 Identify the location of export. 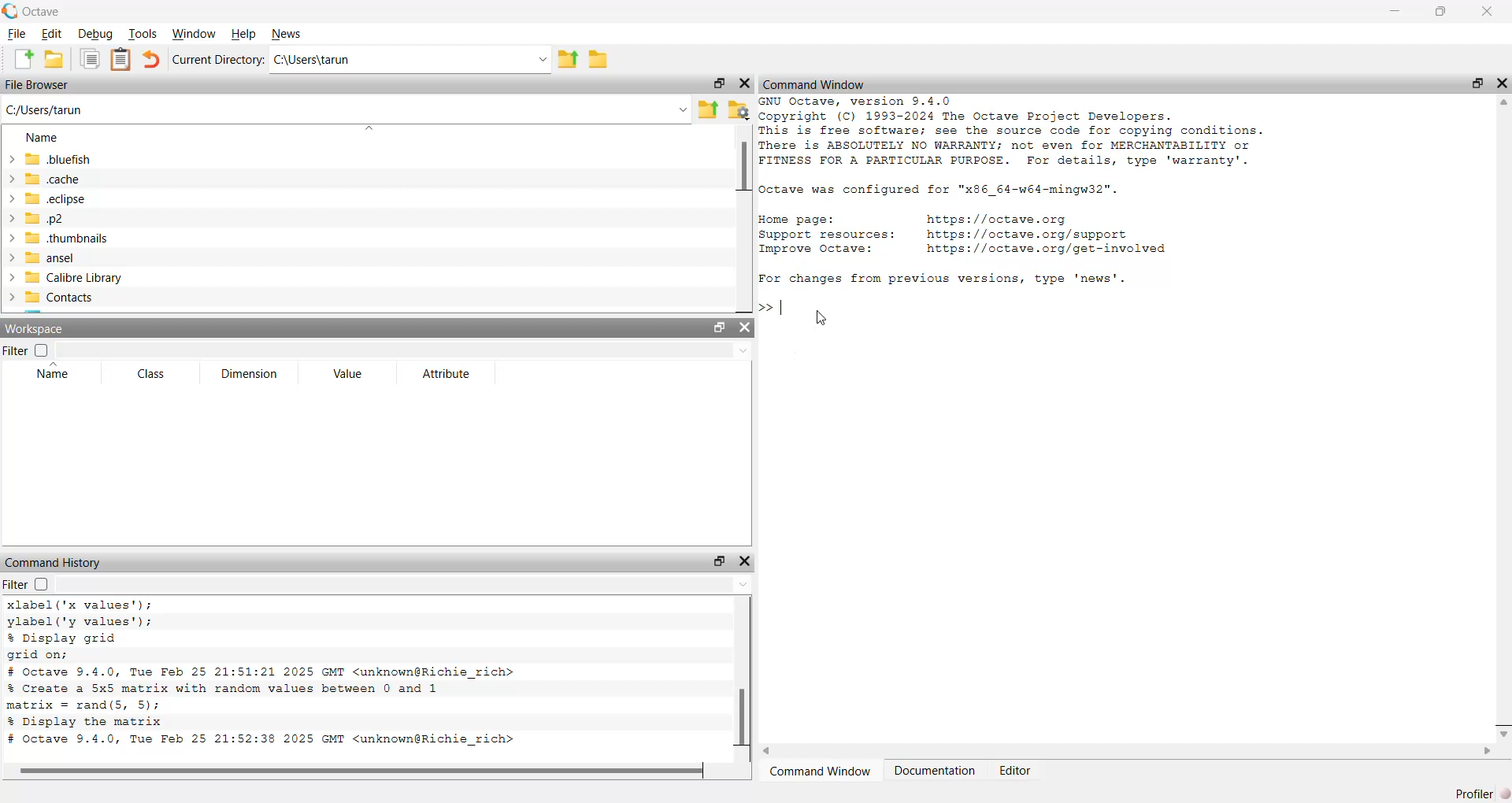
(707, 109).